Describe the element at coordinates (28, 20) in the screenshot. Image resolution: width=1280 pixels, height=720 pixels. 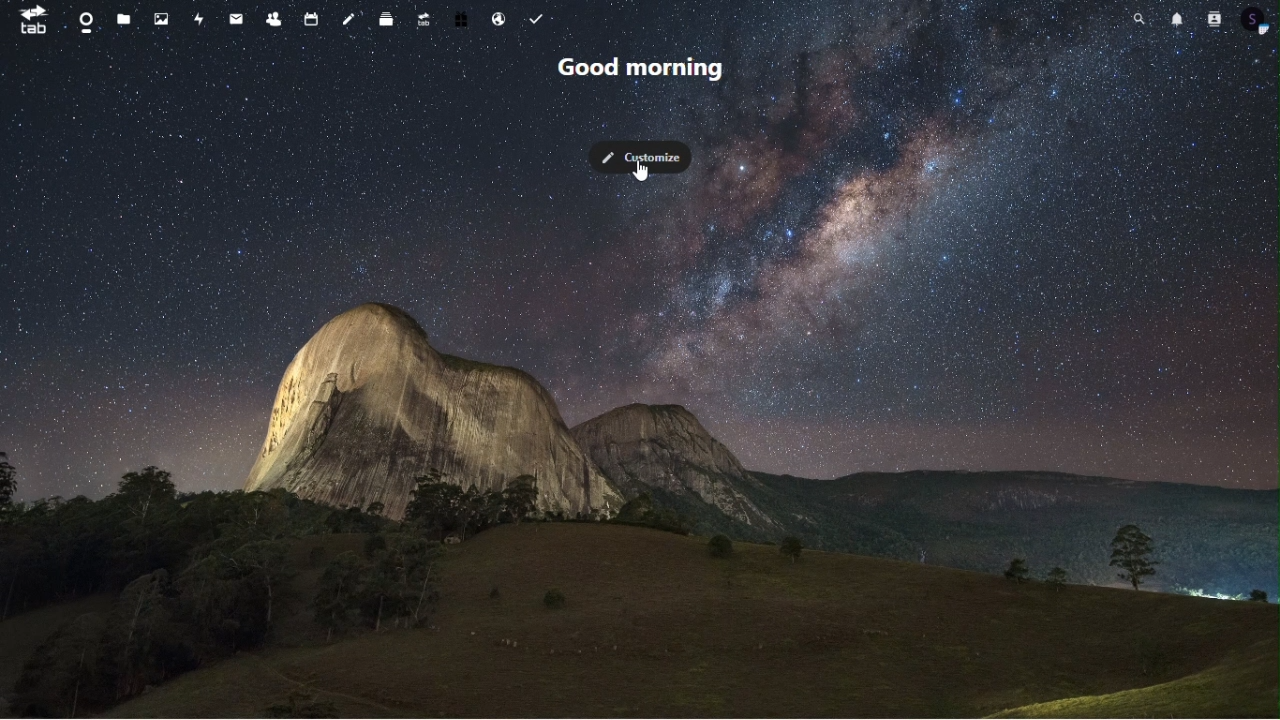
I see `tab` at that location.